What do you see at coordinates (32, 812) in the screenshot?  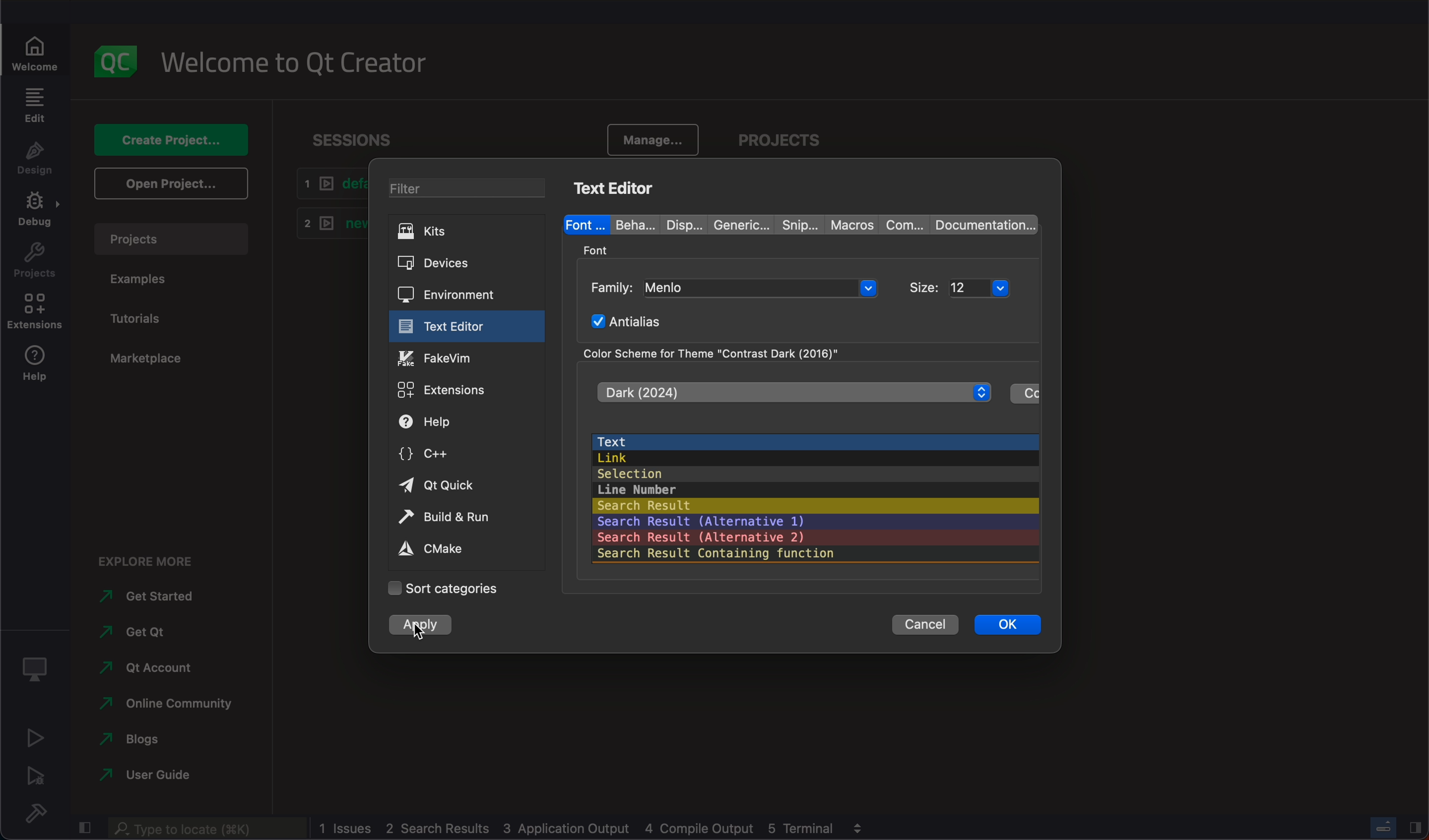 I see `build` at bounding box center [32, 812].